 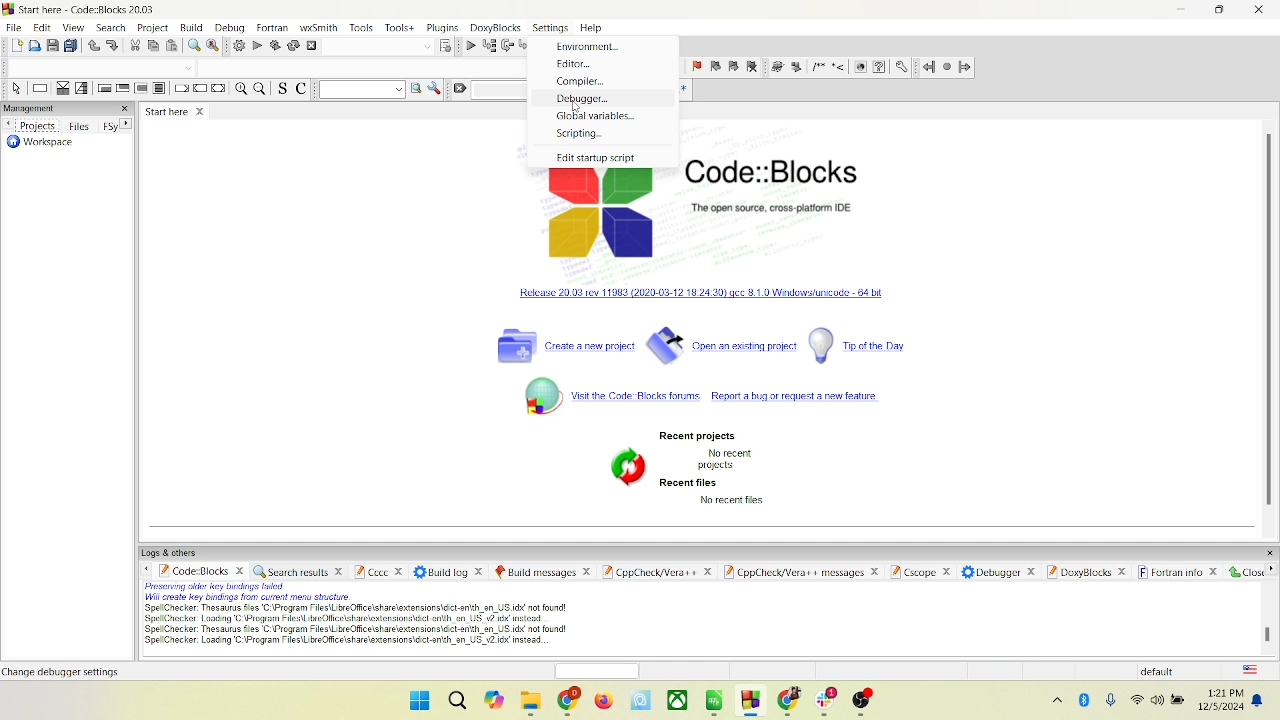 I want to click on build and run, so click(x=274, y=46).